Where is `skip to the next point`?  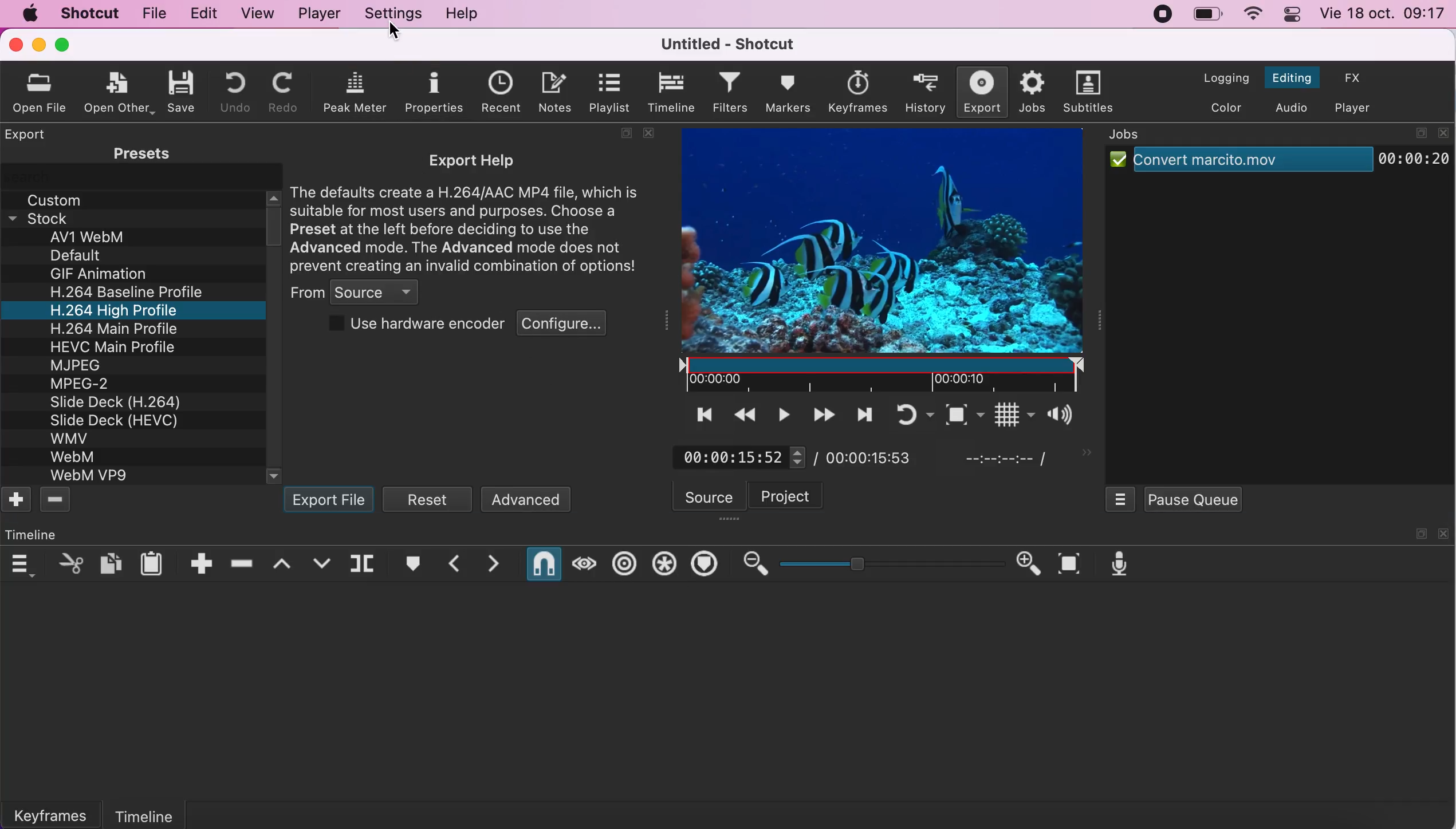
skip to the next point is located at coordinates (863, 414).